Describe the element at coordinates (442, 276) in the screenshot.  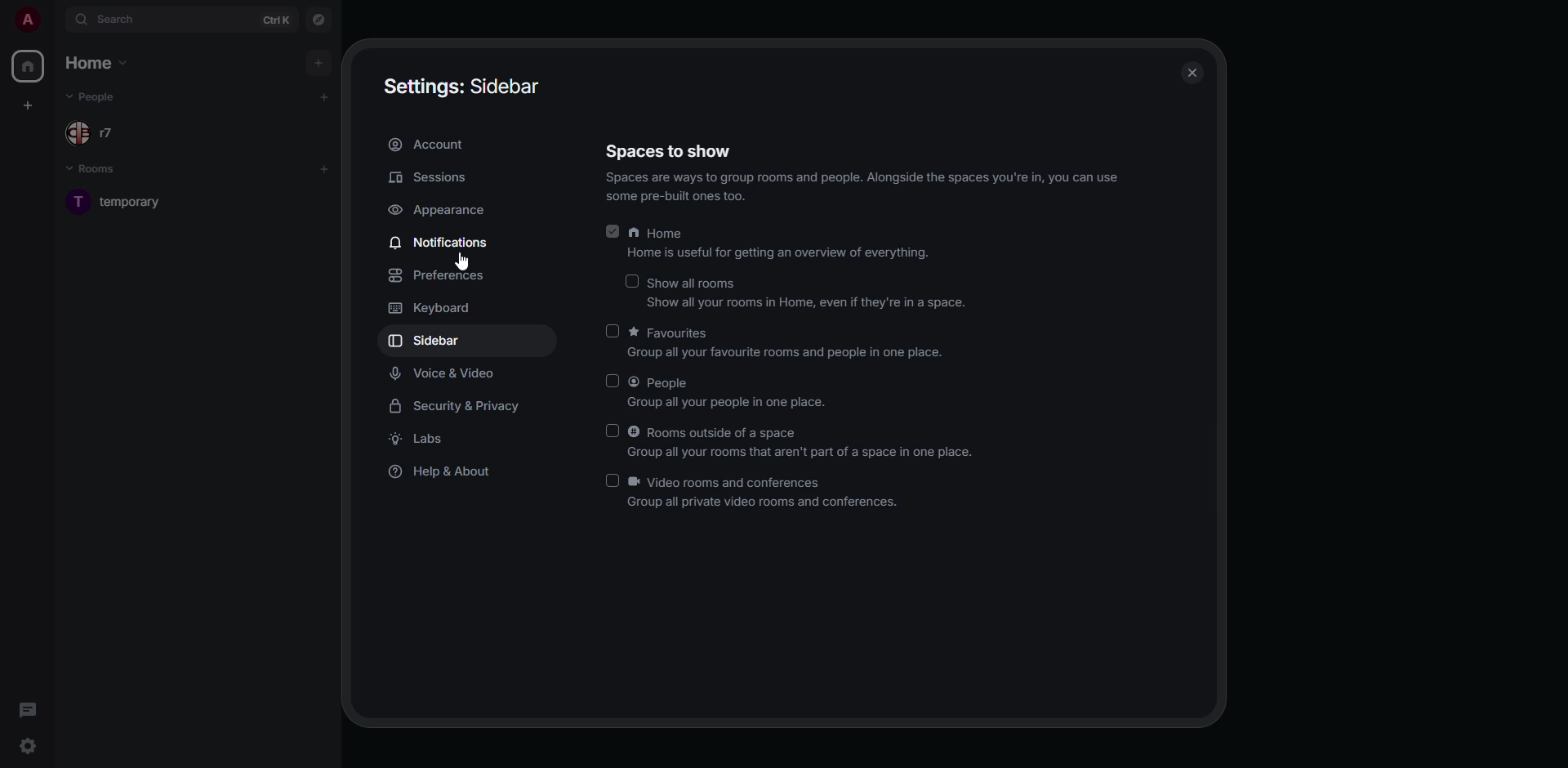
I see `preferences` at that location.